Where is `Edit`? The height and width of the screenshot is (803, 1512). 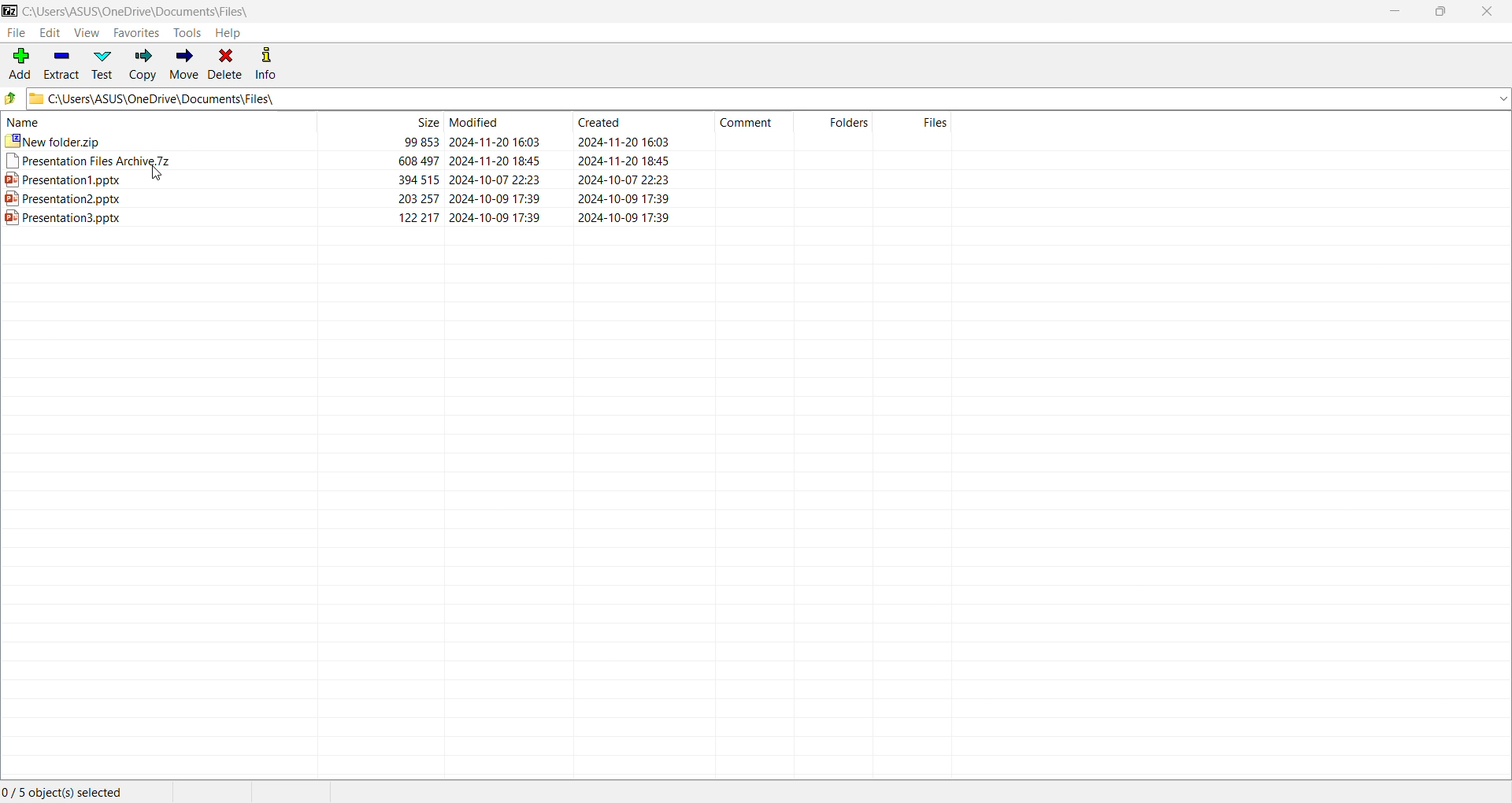
Edit is located at coordinates (49, 32).